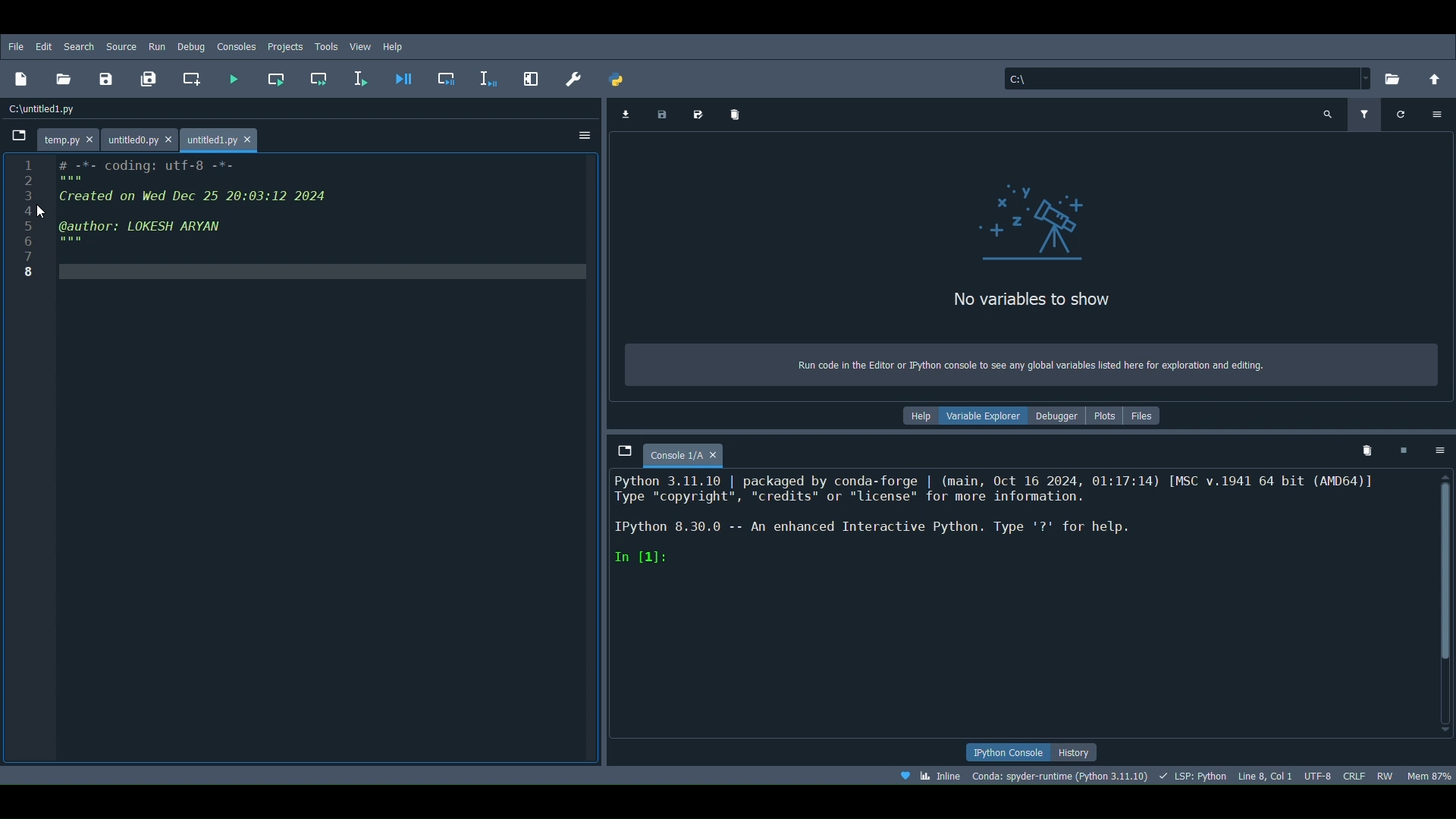  I want to click on Filter variables, so click(1362, 115).